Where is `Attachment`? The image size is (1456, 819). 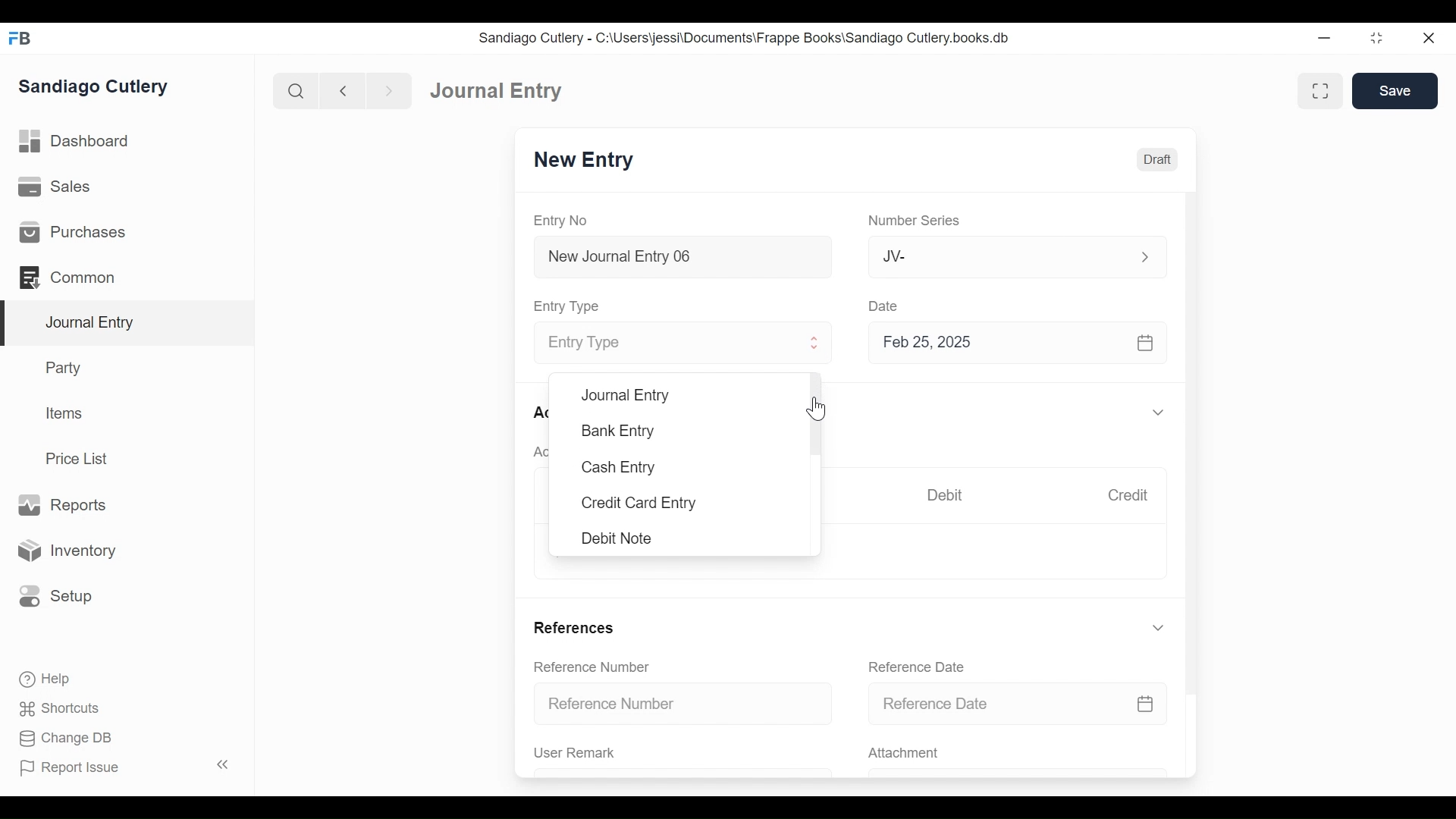 Attachment is located at coordinates (902, 754).